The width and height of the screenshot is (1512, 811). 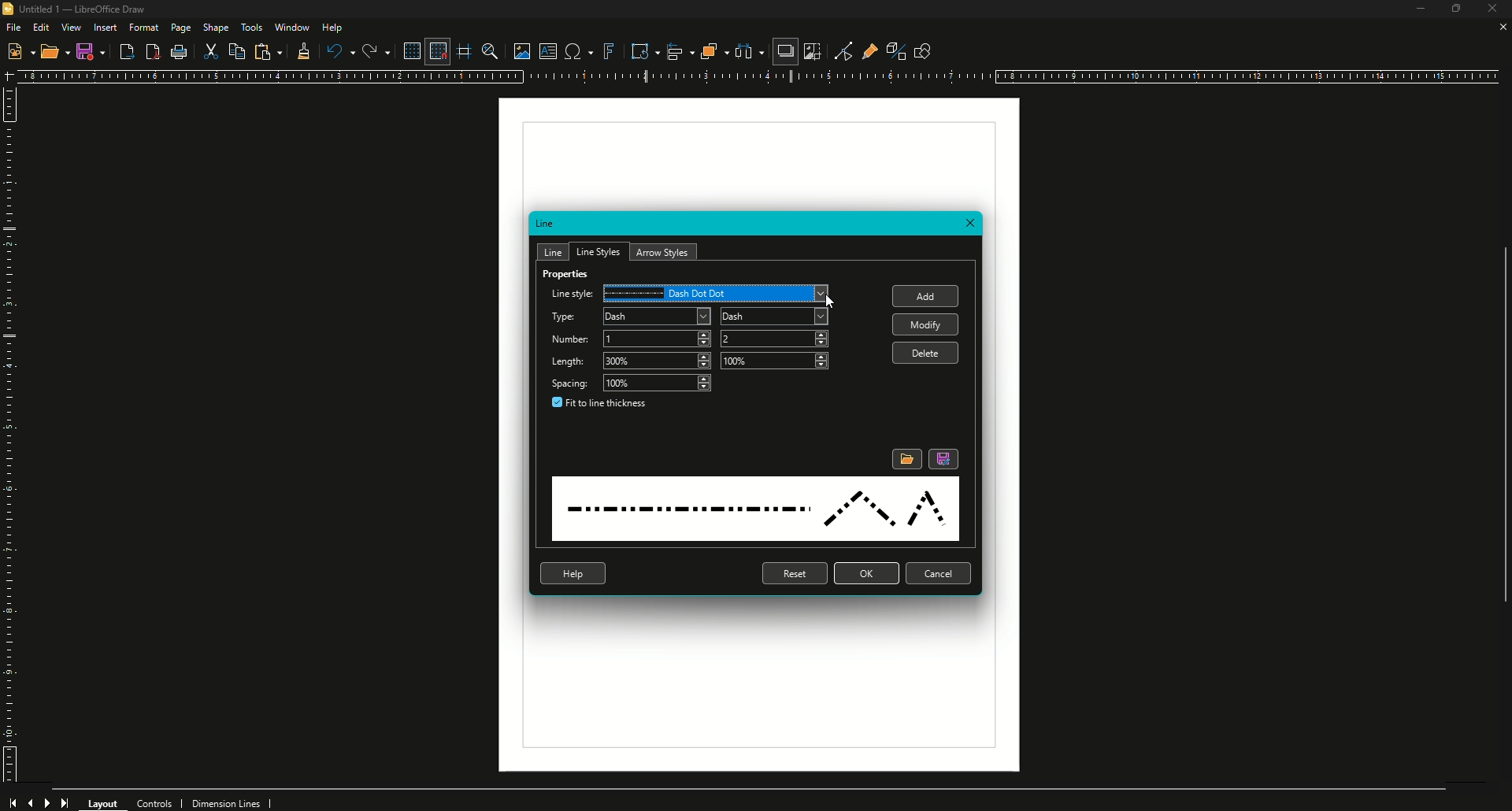 What do you see at coordinates (217, 28) in the screenshot?
I see `Shape` at bounding box center [217, 28].